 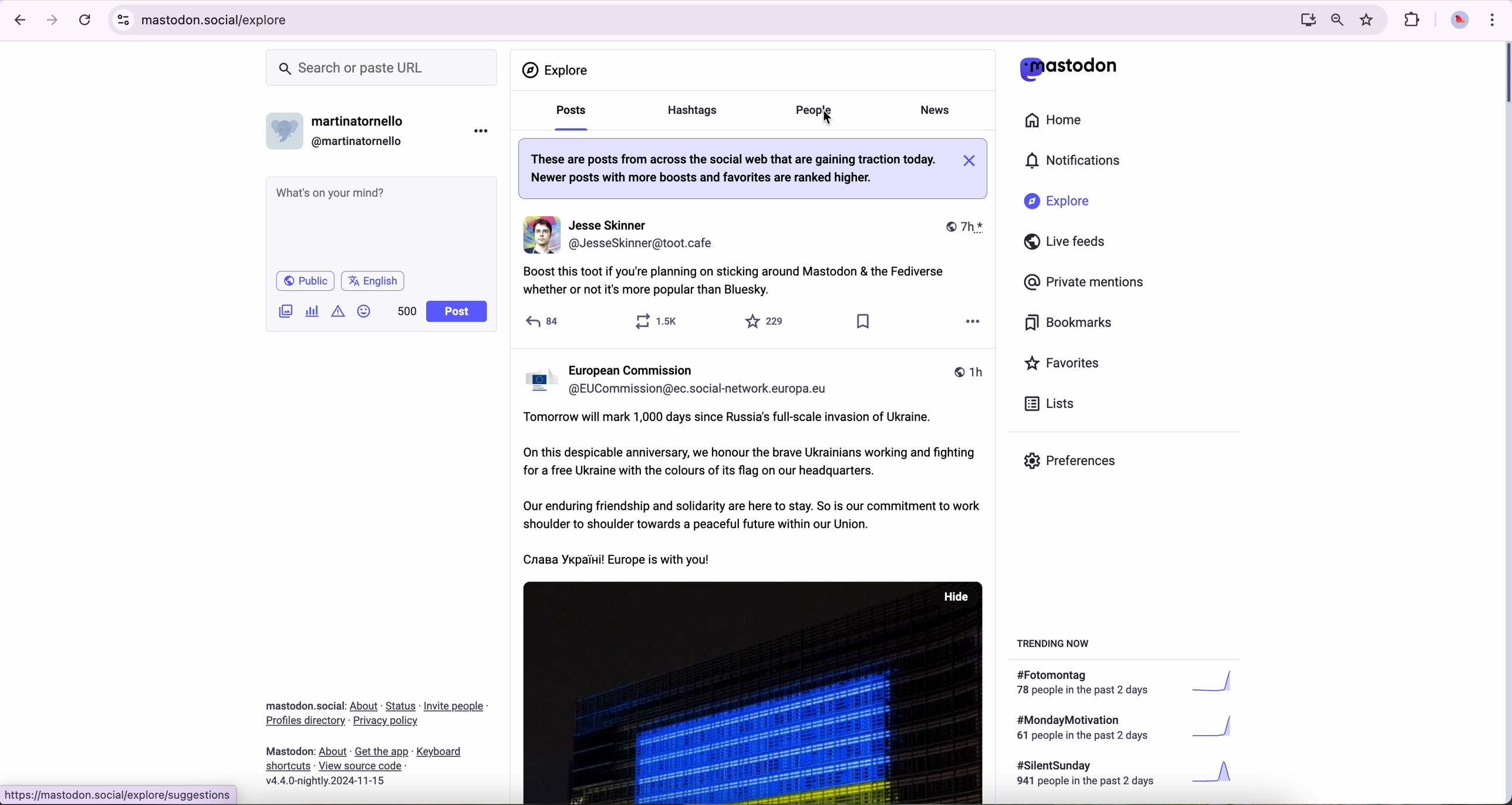 I want to click on 500 characters, so click(x=406, y=311).